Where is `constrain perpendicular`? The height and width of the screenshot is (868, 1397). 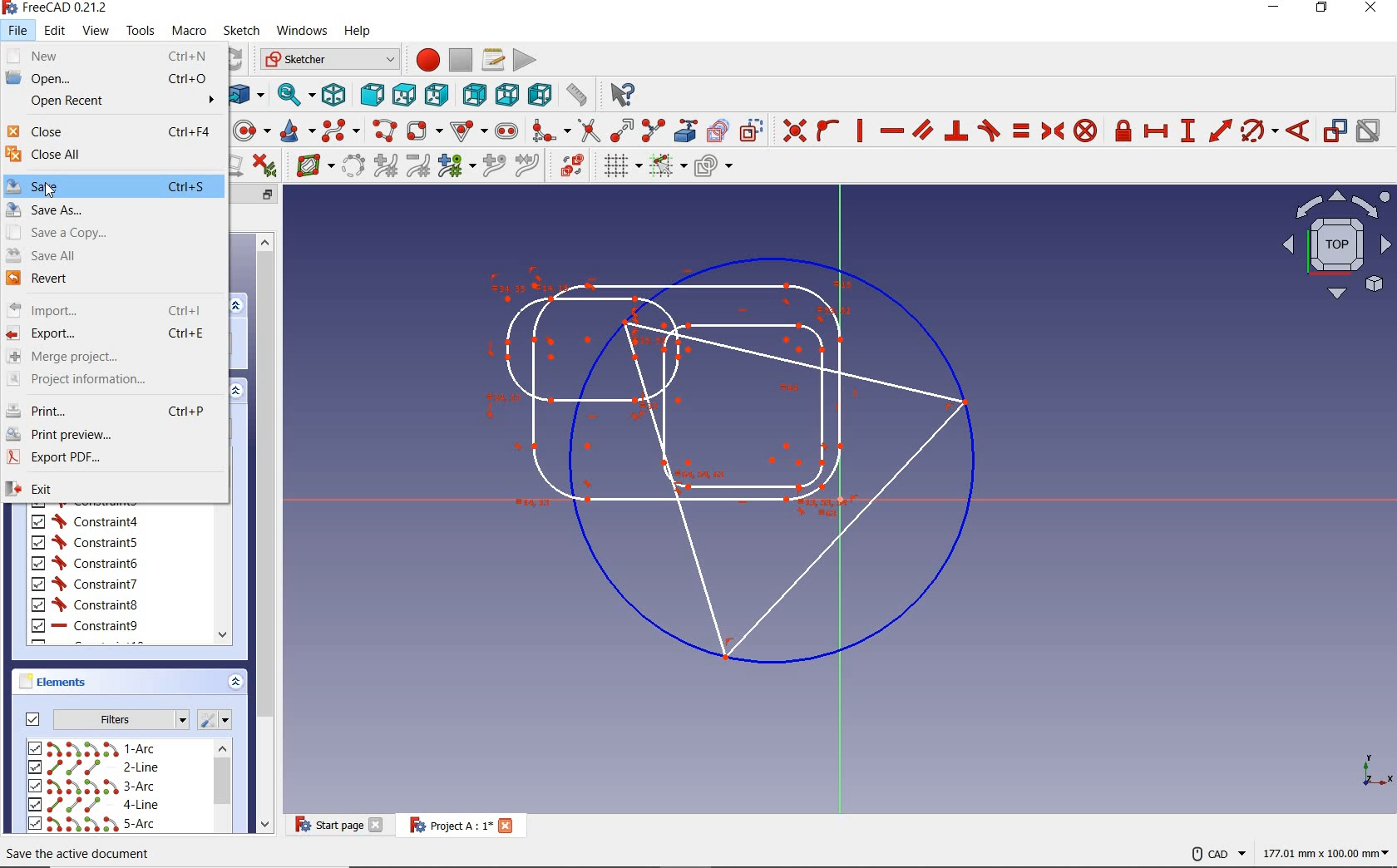 constrain perpendicular is located at coordinates (957, 131).